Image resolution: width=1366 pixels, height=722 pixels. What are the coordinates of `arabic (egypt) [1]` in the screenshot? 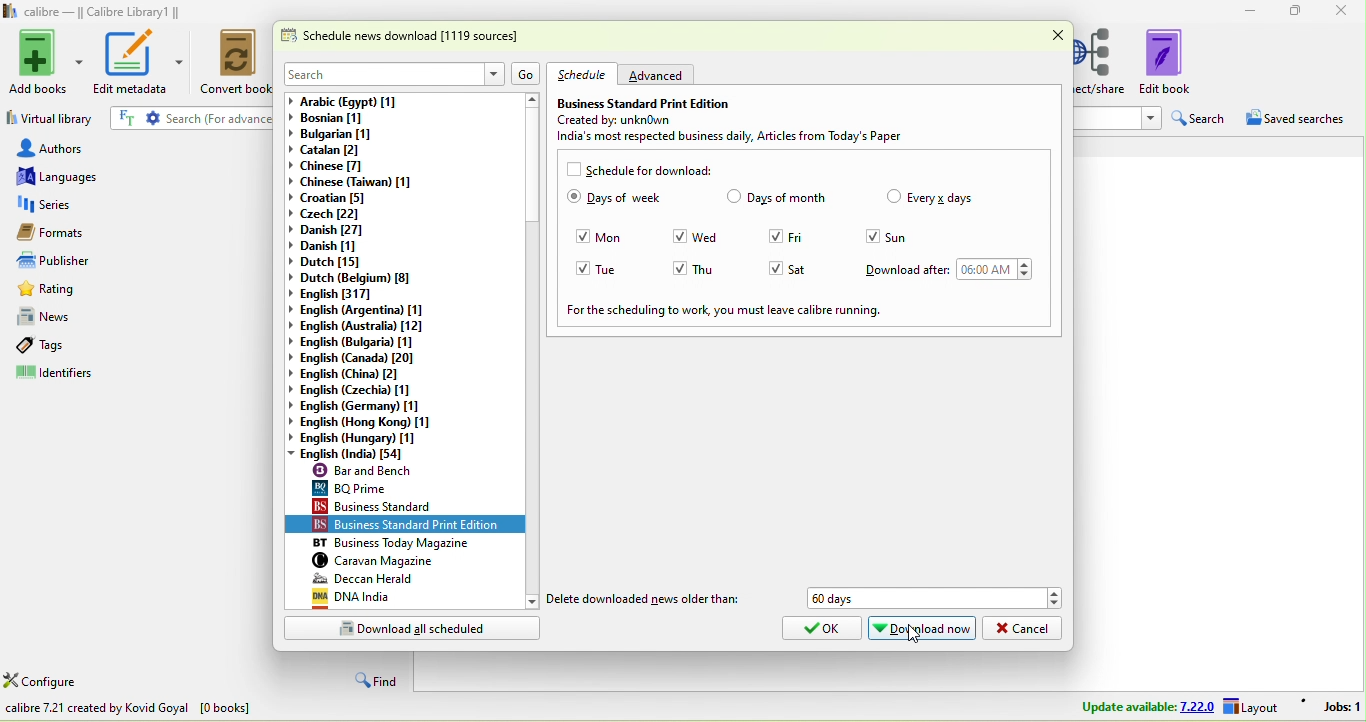 It's located at (402, 101).